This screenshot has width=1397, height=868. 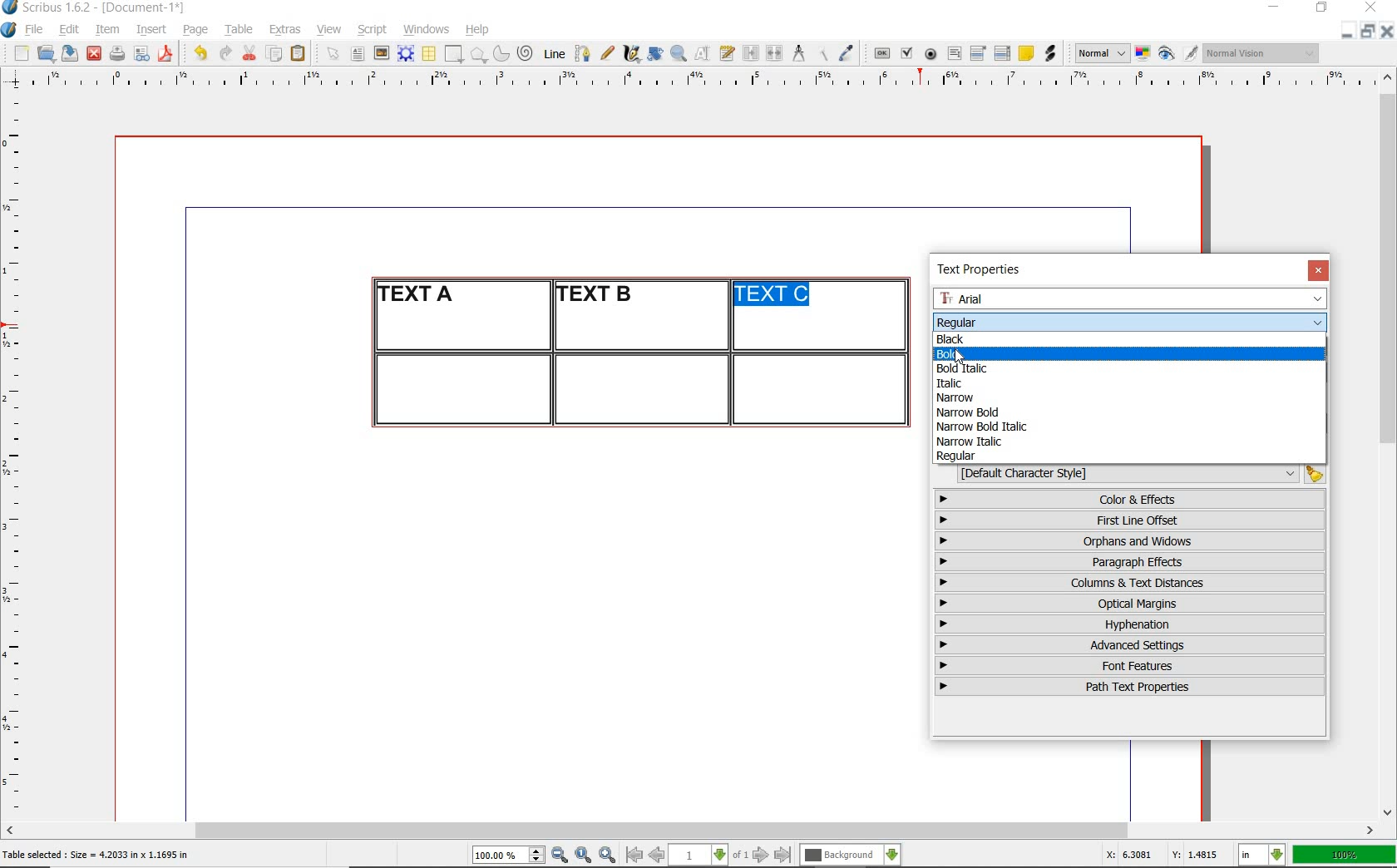 What do you see at coordinates (560, 856) in the screenshot?
I see `zoom out` at bounding box center [560, 856].